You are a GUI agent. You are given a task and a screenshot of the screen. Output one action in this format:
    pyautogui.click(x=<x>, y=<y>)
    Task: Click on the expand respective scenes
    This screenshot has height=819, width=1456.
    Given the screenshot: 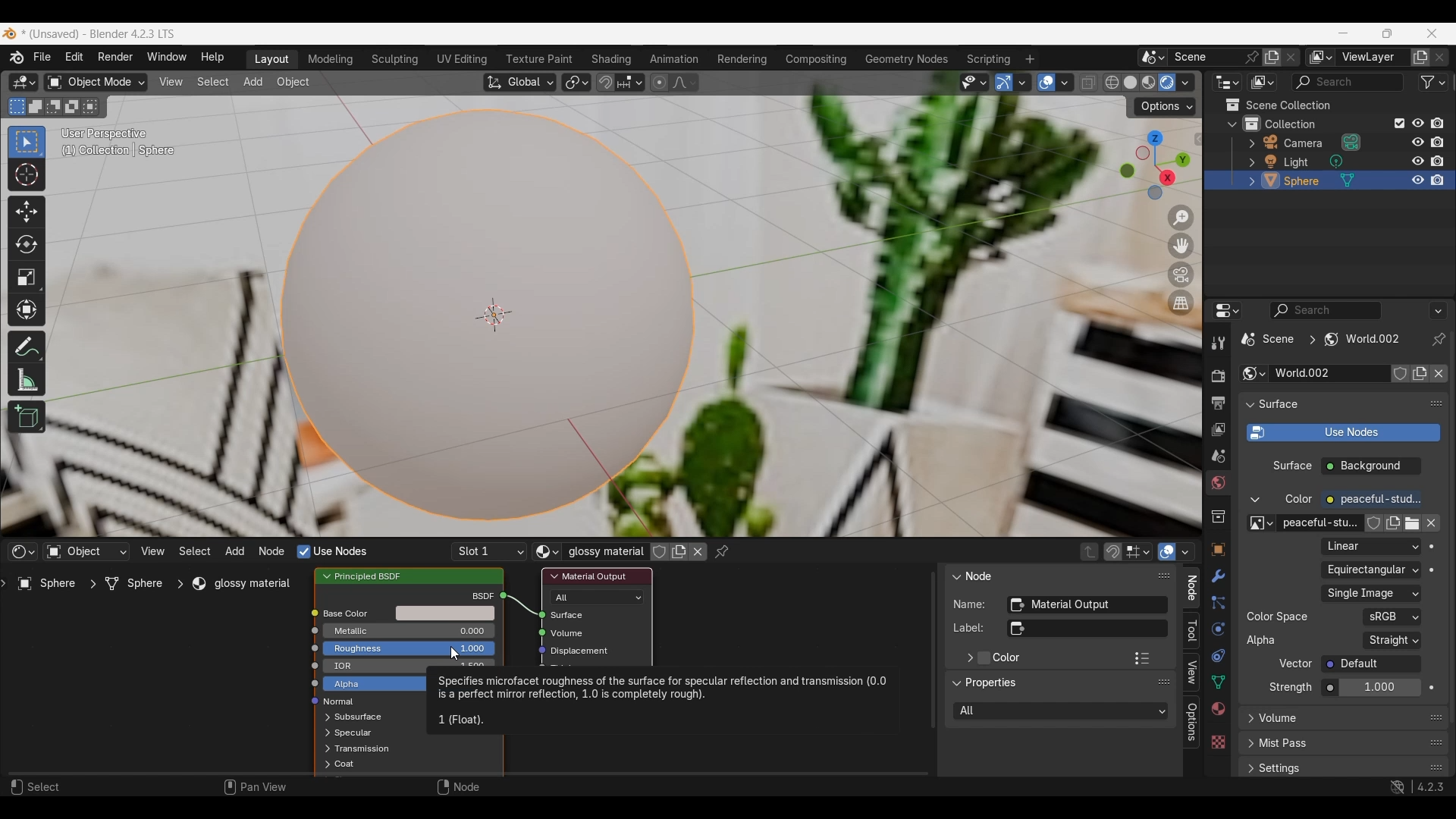 What is the action you would take?
    pyautogui.click(x=322, y=765)
    